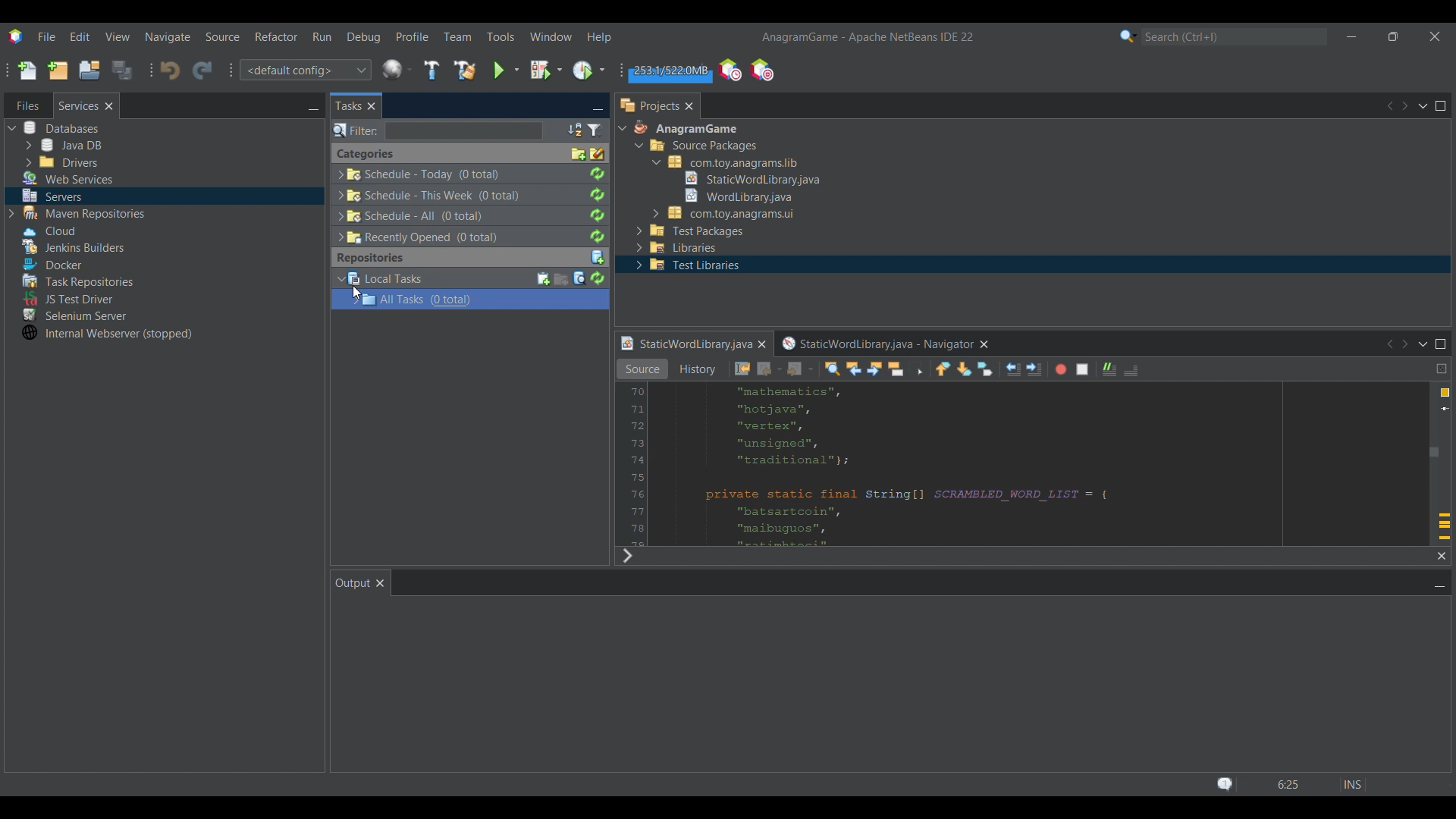  What do you see at coordinates (679, 248) in the screenshot?
I see `` at bounding box center [679, 248].